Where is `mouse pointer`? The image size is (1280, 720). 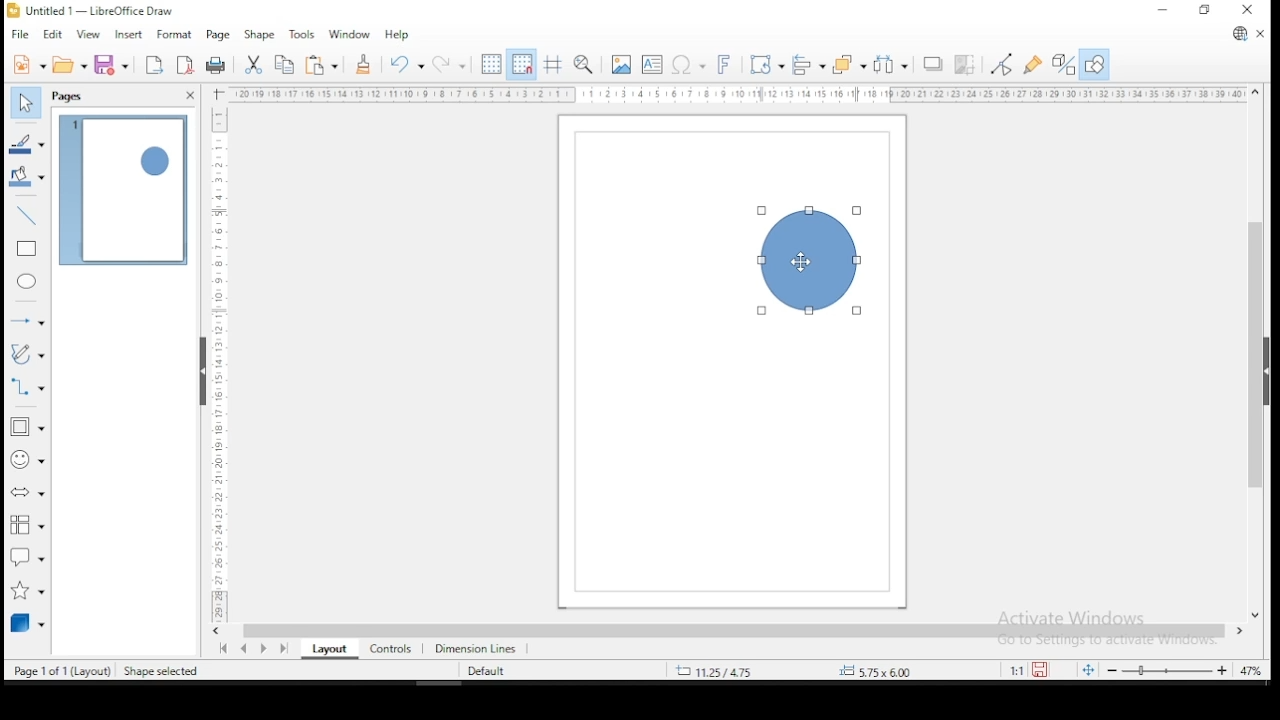 mouse pointer is located at coordinates (804, 261).